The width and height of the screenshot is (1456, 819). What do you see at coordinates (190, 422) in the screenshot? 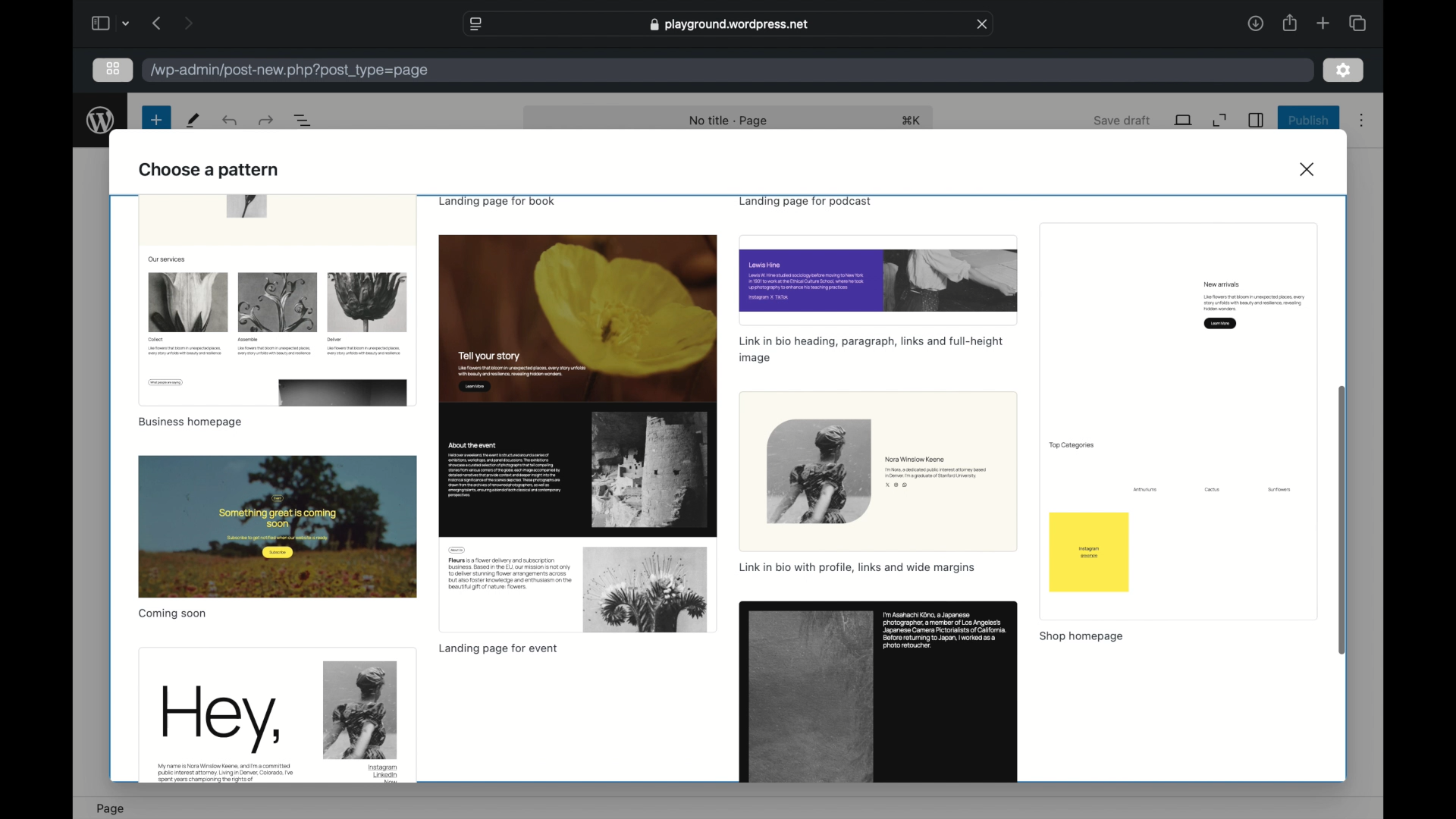
I see `business homepage` at bounding box center [190, 422].